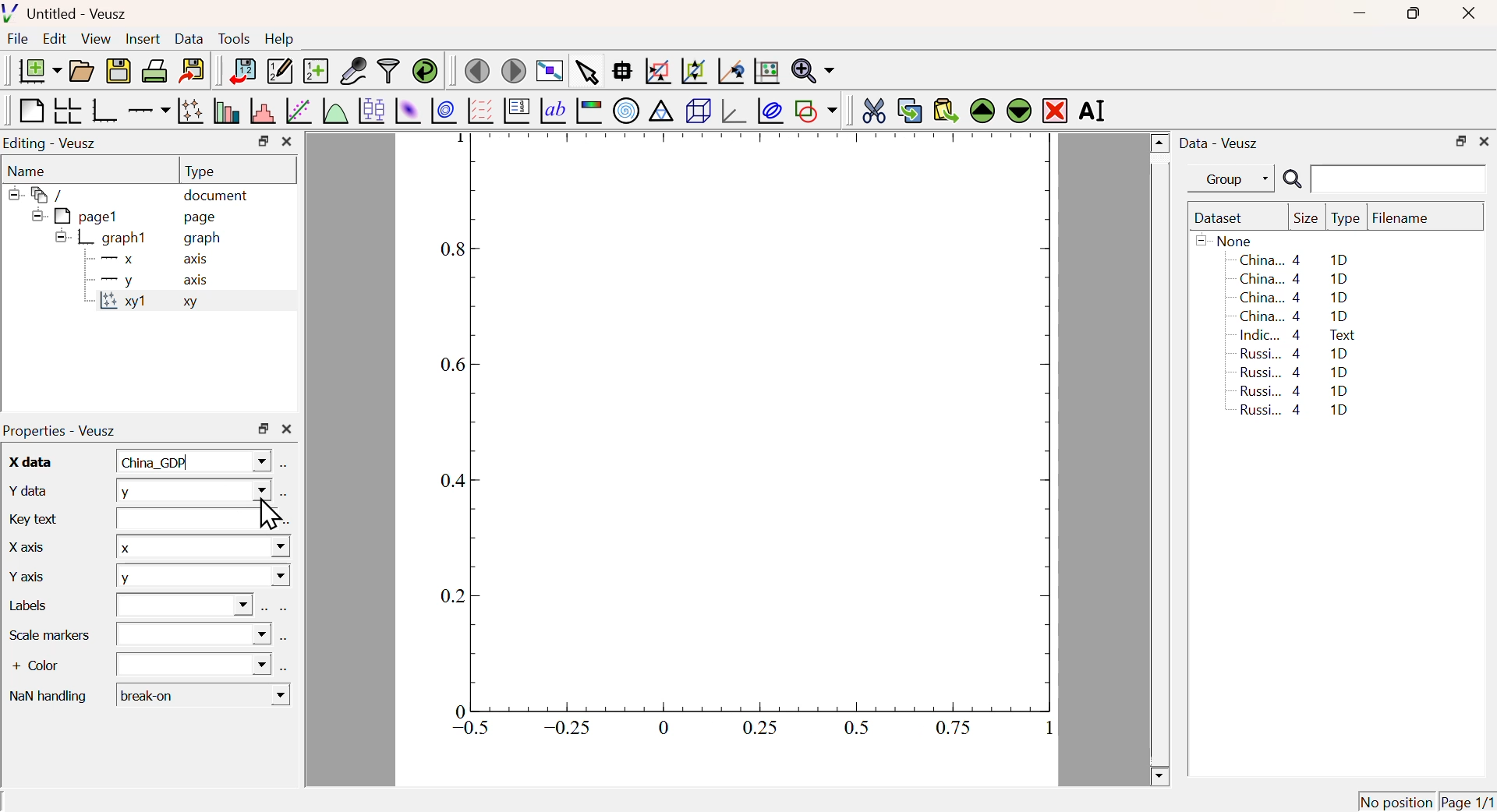 The width and height of the screenshot is (1497, 812). Describe the element at coordinates (280, 39) in the screenshot. I see `Help` at that location.